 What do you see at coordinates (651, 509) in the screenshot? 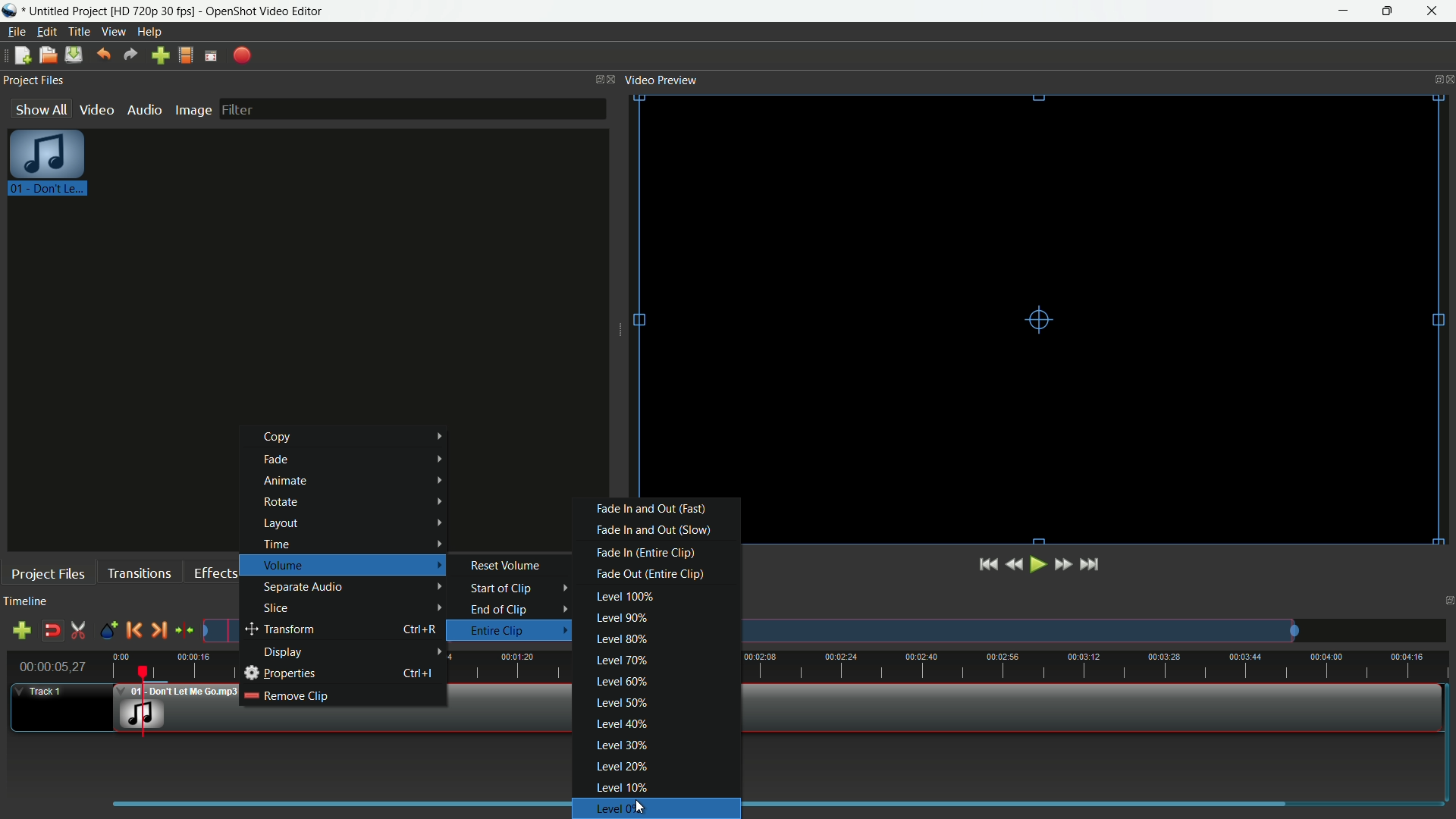
I see `fade in and out fast` at bounding box center [651, 509].